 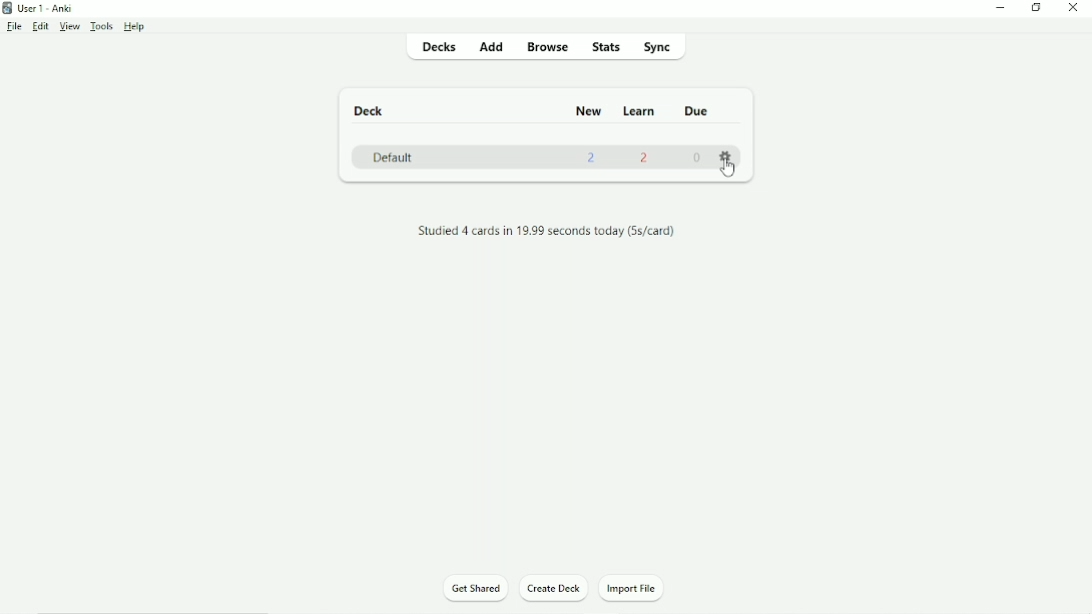 What do you see at coordinates (661, 47) in the screenshot?
I see `Sync` at bounding box center [661, 47].